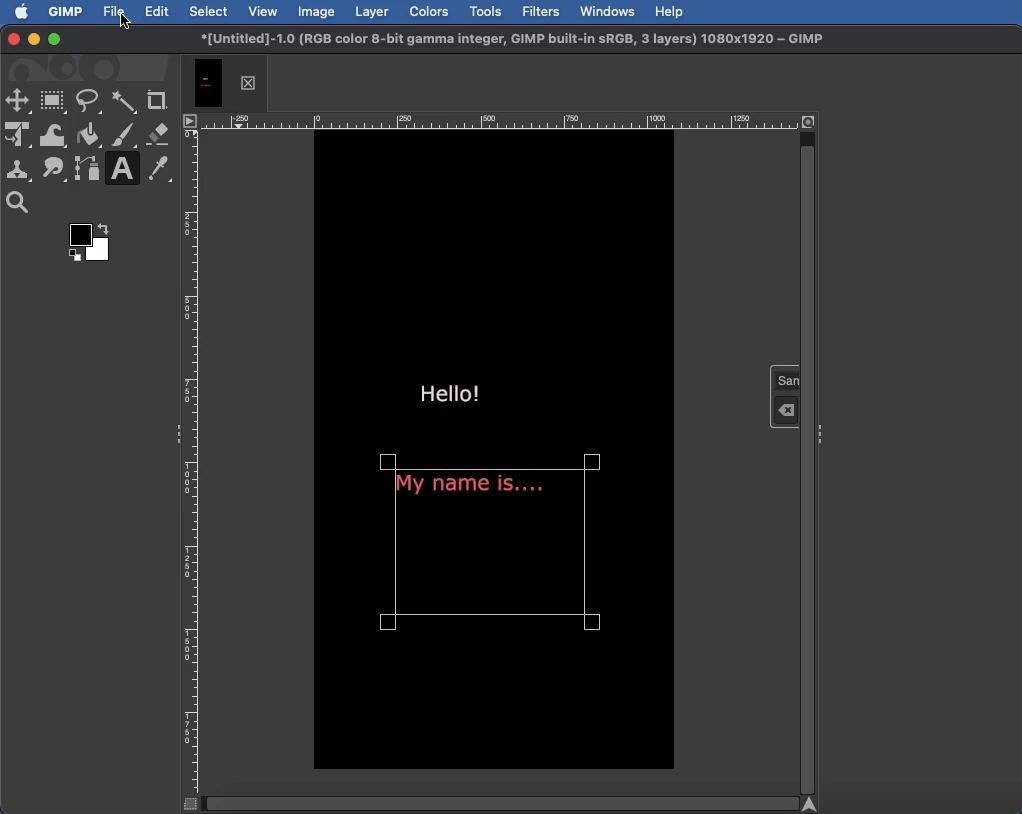 The image size is (1022, 814). What do you see at coordinates (192, 122) in the screenshot?
I see `Options` at bounding box center [192, 122].